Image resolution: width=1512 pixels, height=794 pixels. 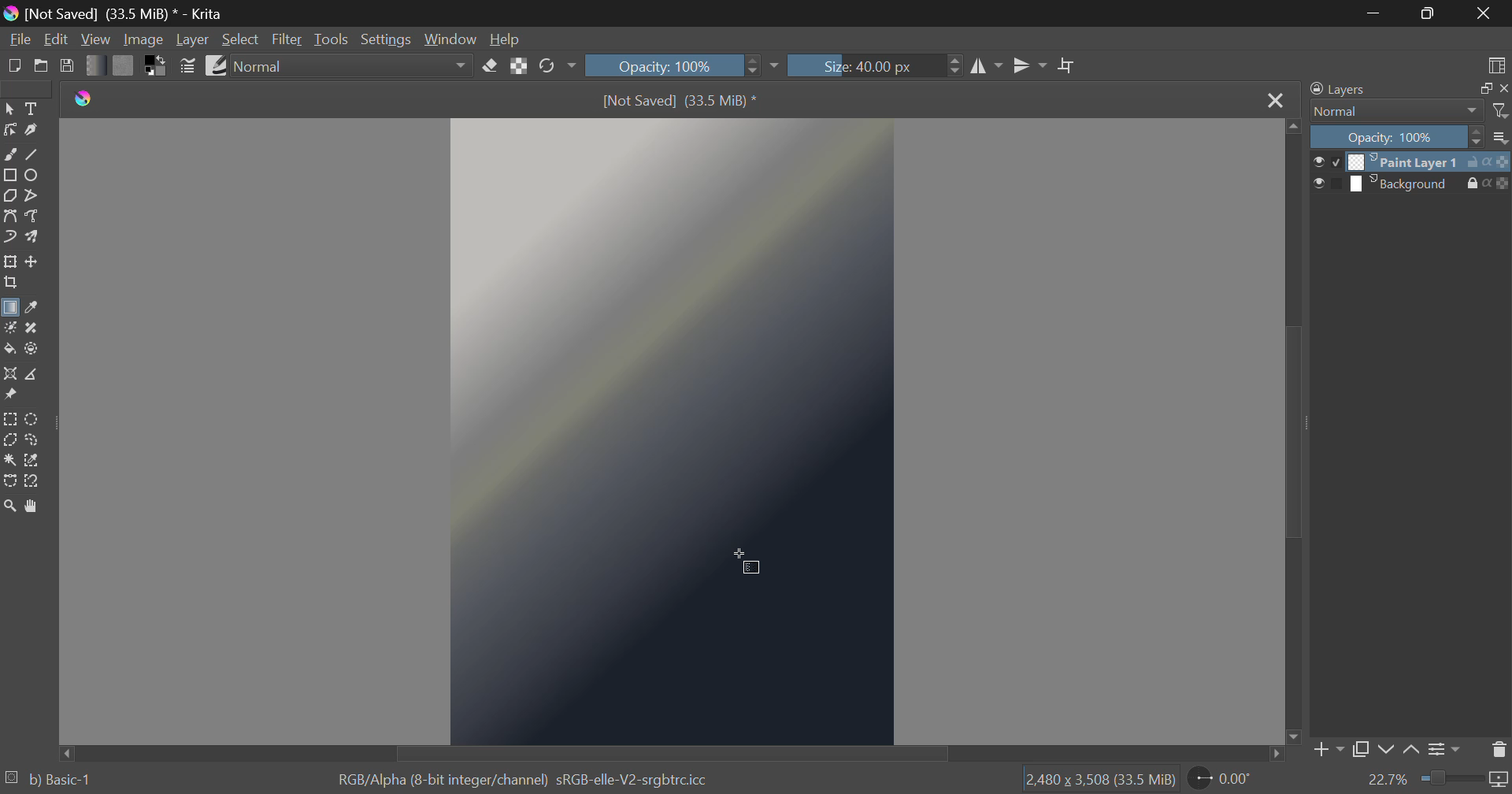 I want to click on Delete Layer, so click(x=1499, y=748).